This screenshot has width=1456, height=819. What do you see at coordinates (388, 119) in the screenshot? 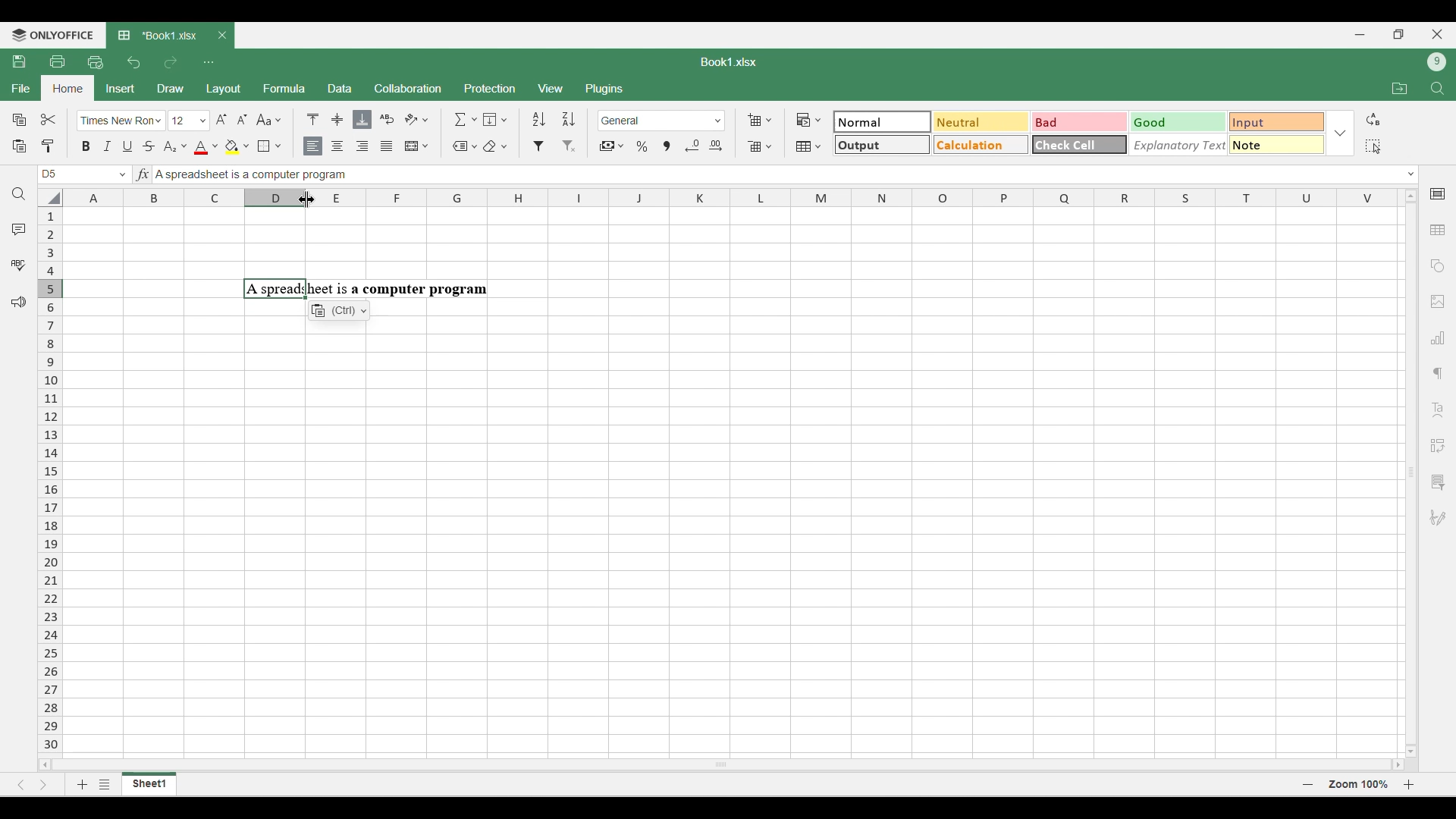
I see `Wrap text` at bounding box center [388, 119].